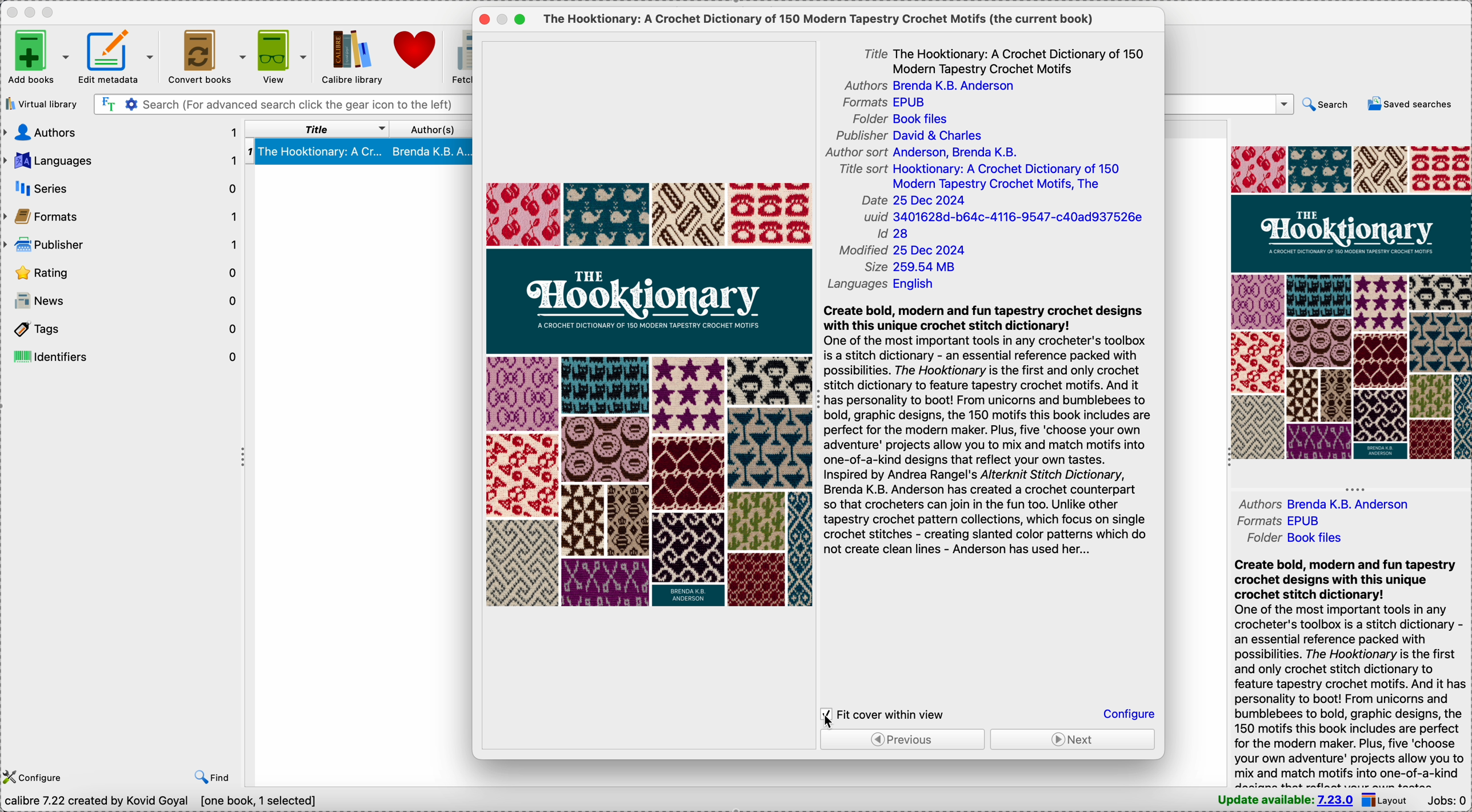 This screenshot has width=1472, height=812. What do you see at coordinates (1350, 303) in the screenshot?
I see `double click on book cover preview` at bounding box center [1350, 303].